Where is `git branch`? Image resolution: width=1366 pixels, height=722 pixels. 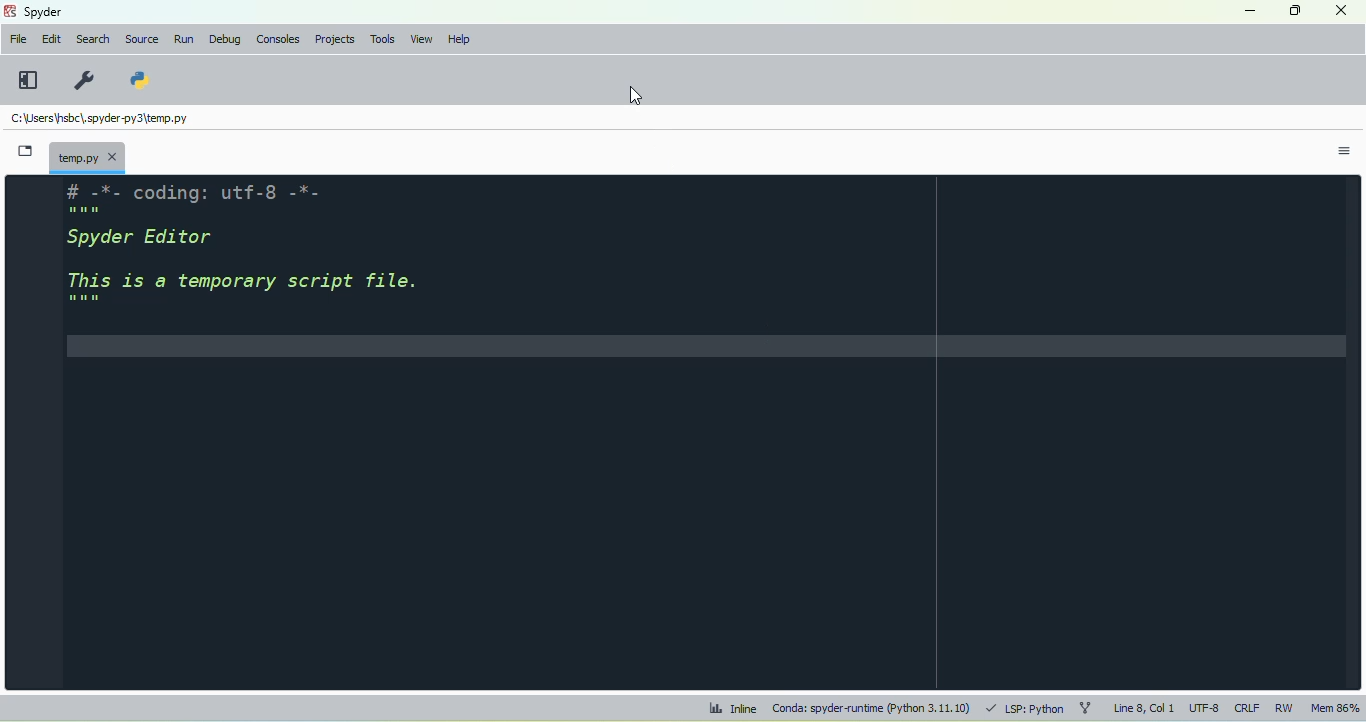
git branch is located at coordinates (1084, 708).